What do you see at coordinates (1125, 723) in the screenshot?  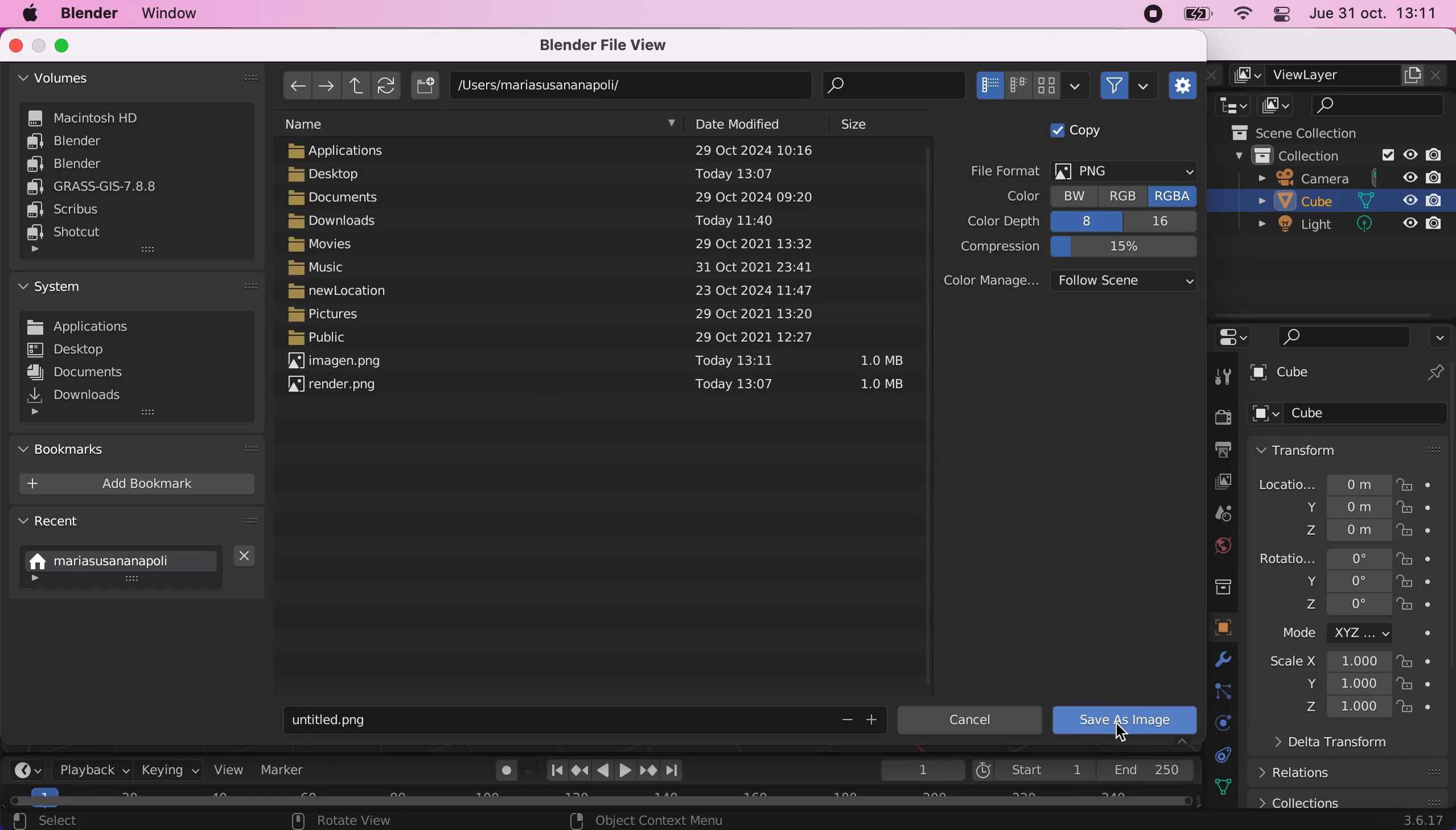 I see `Cursor on save as image` at bounding box center [1125, 723].